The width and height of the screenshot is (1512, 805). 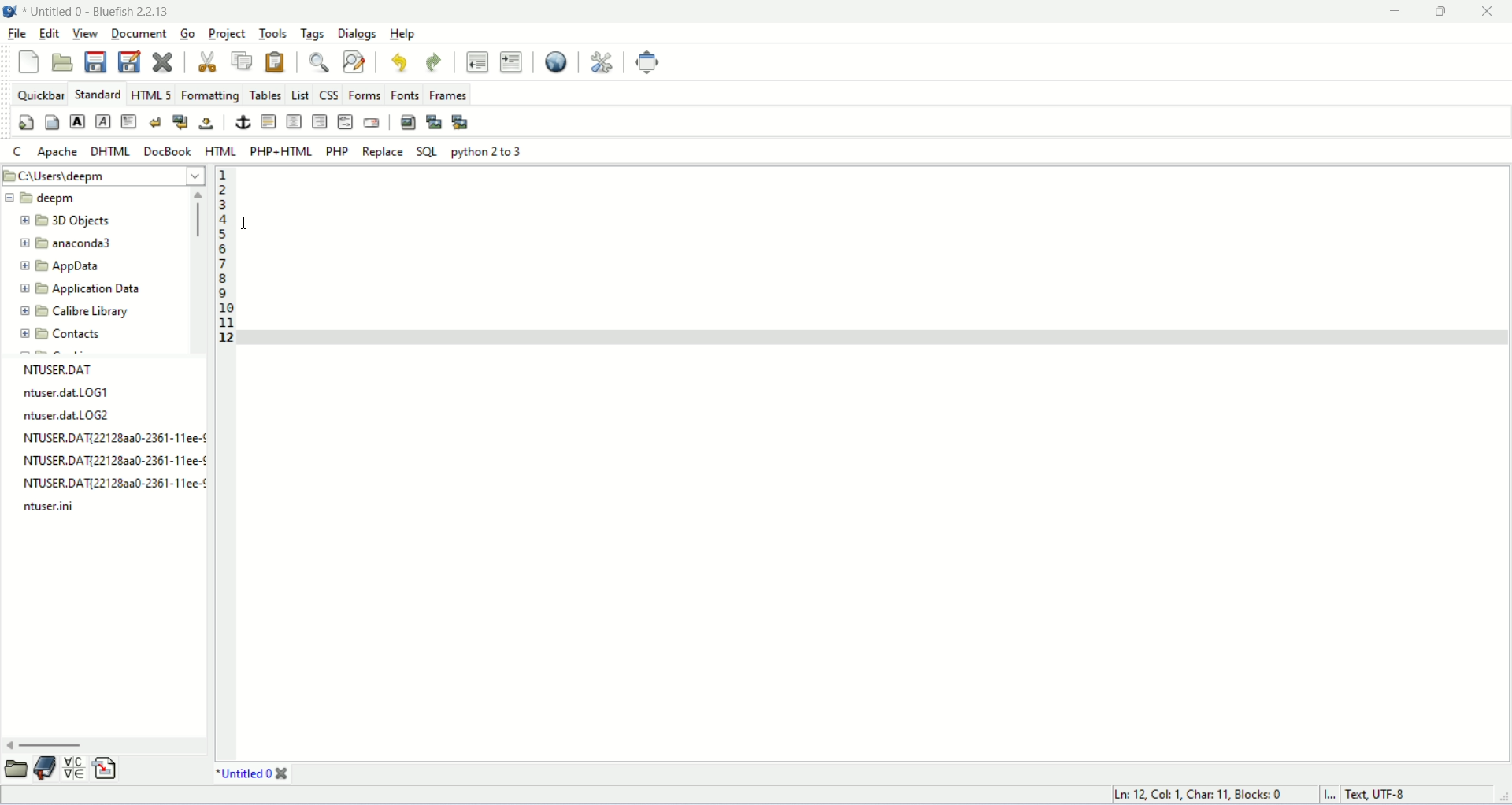 What do you see at coordinates (139, 32) in the screenshot?
I see `document` at bounding box center [139, 32].